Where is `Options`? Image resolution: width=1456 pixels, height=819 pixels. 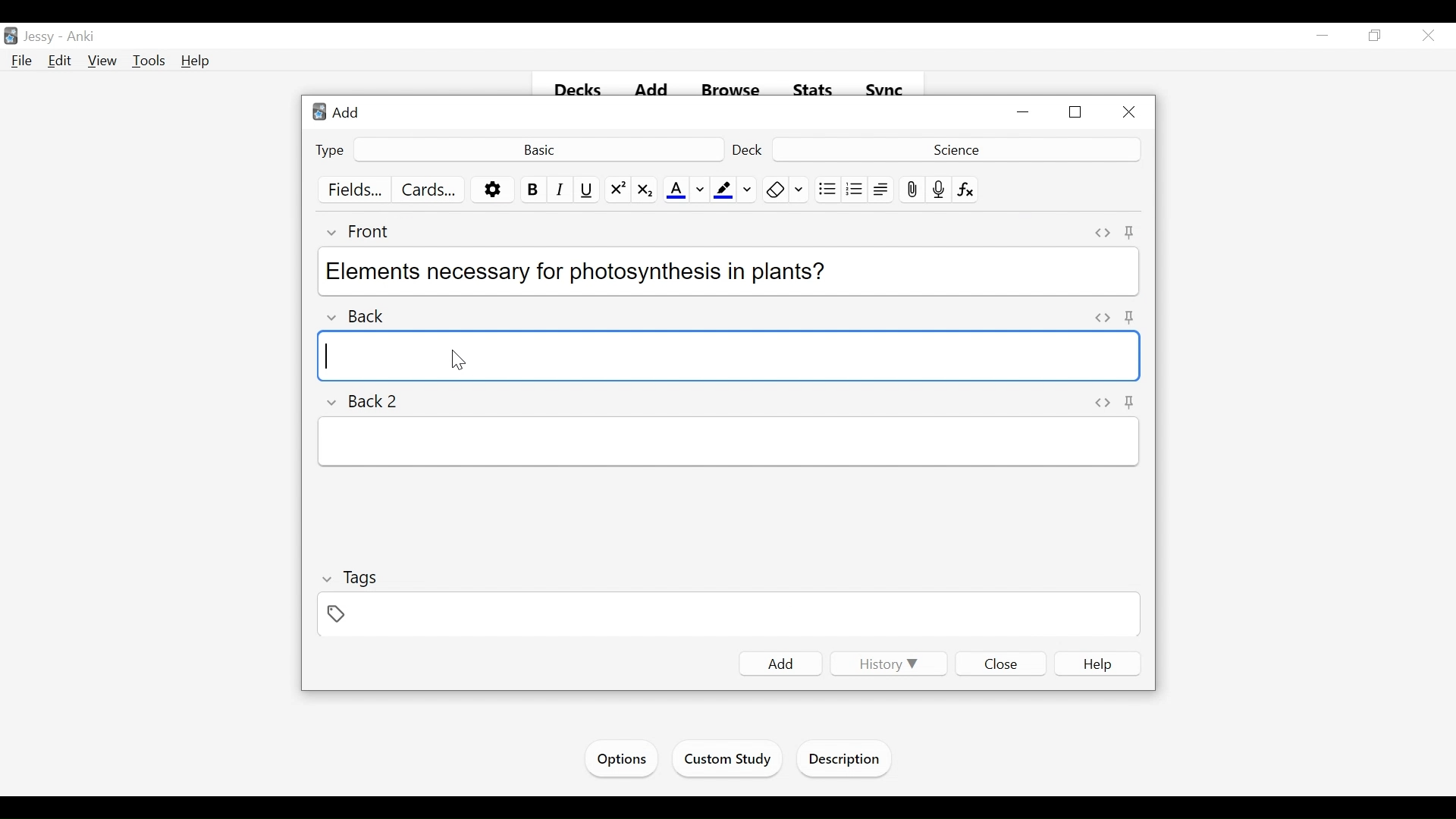
Options is located at coordinates (620, 759).